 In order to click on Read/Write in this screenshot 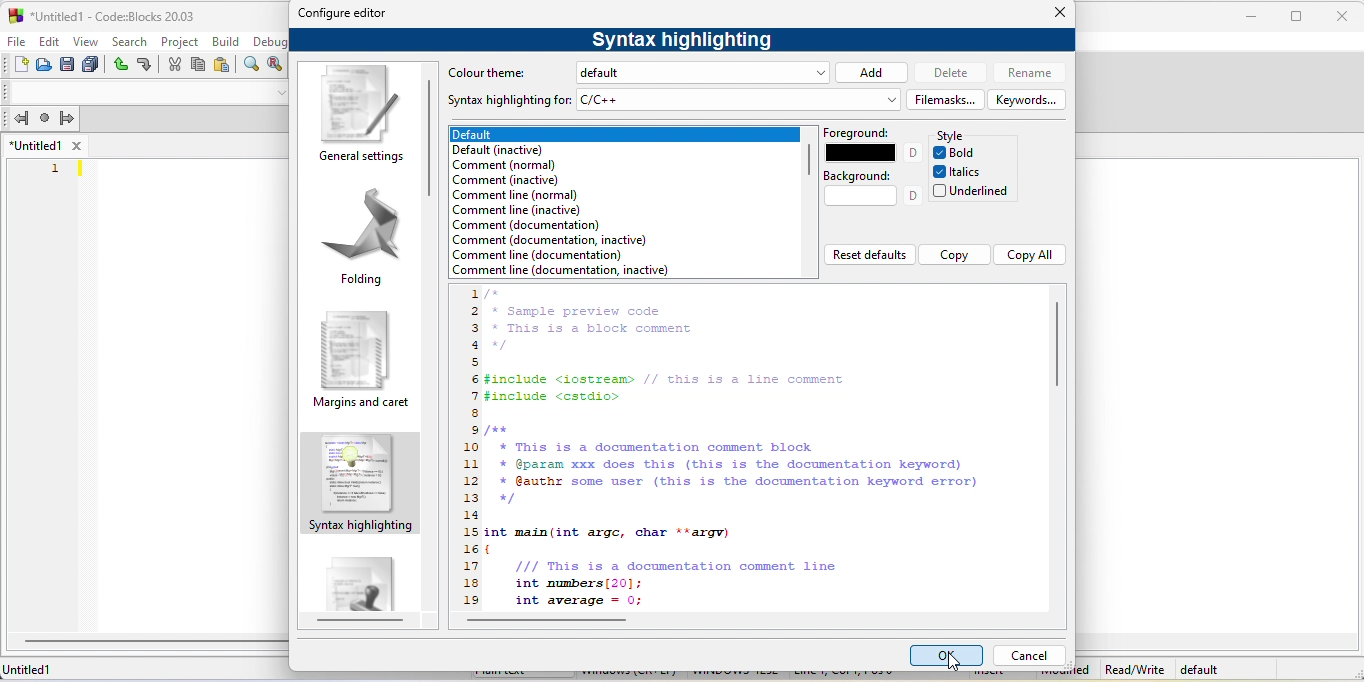, I will do `click(1134, 669)`.